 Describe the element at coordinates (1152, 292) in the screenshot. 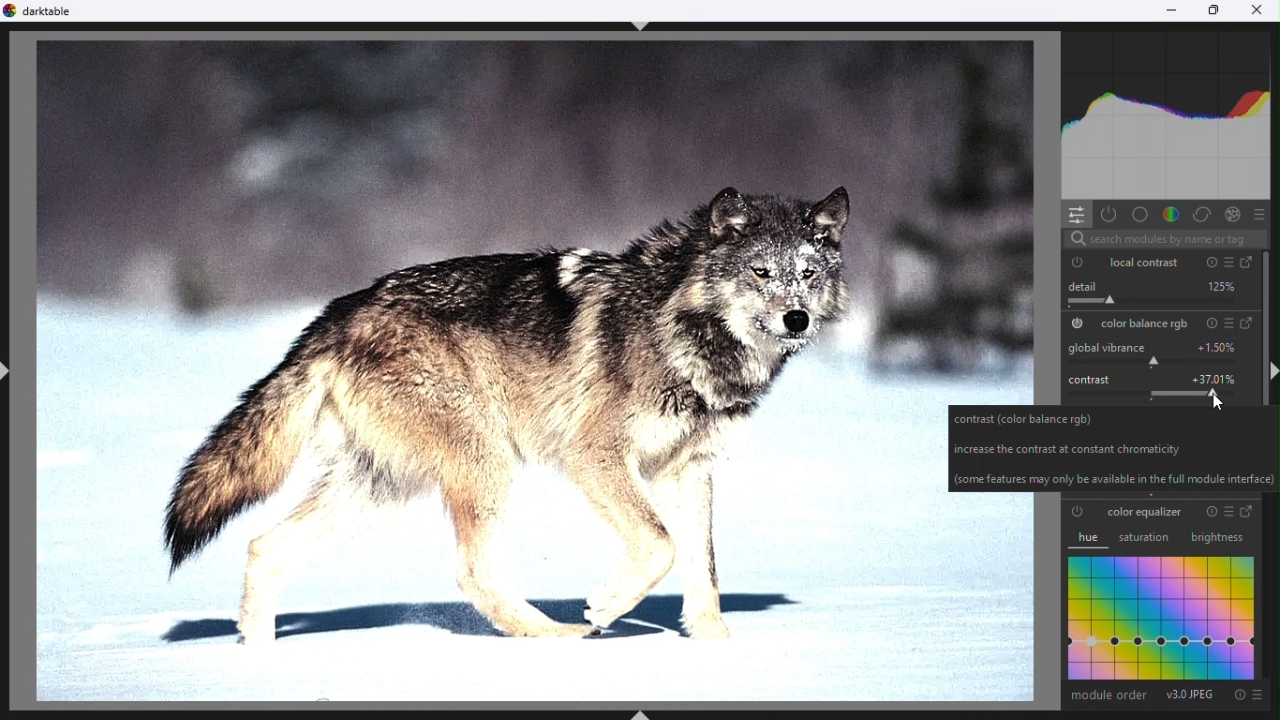

I see `details slider` at that location.